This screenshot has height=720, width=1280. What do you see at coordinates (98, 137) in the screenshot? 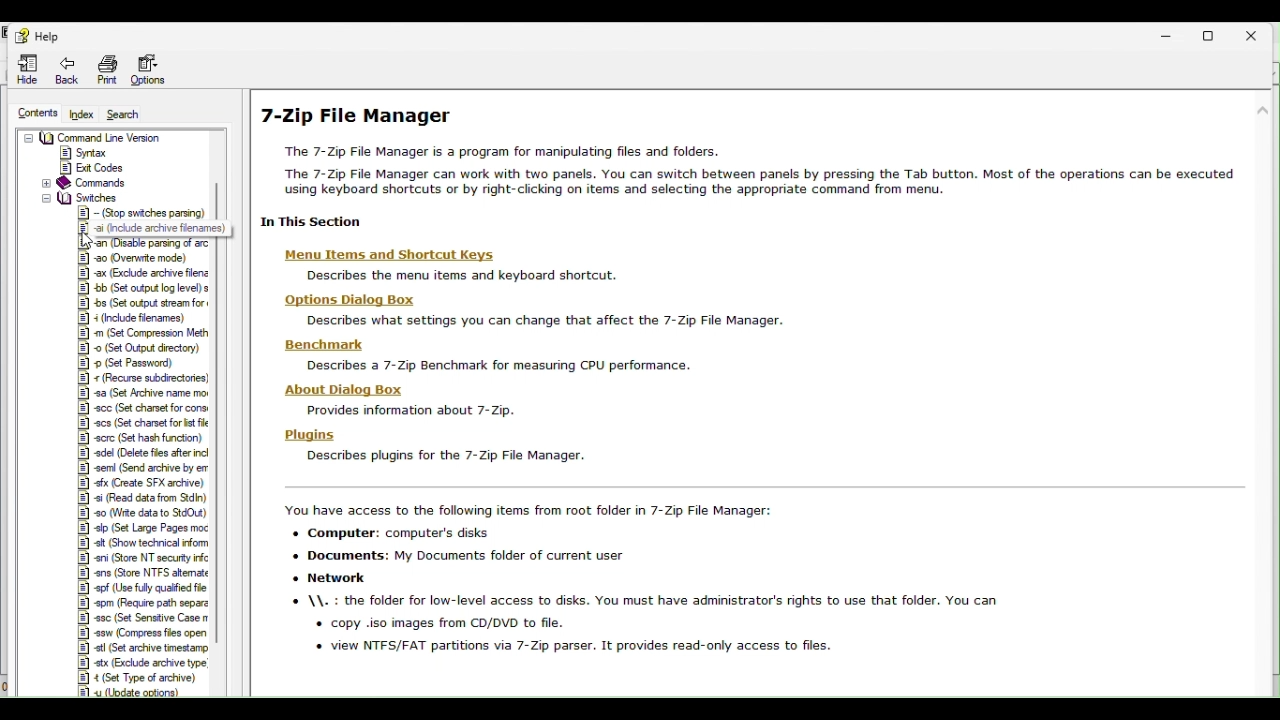
I see `Command Line Version` at bounding box center [98, 137].